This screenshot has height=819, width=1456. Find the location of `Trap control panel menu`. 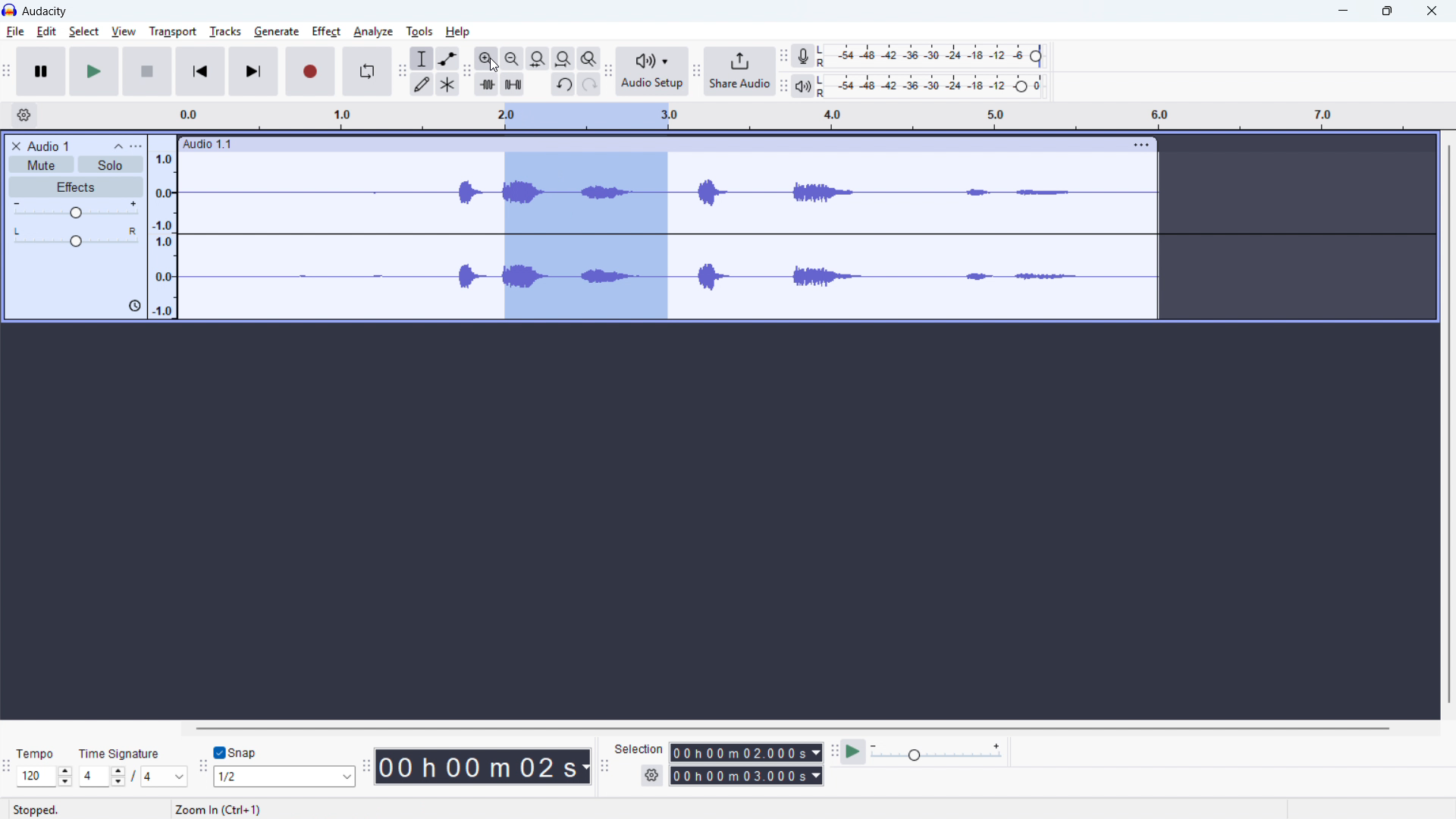

Trap control panel menu is located at coordinates (136, 146).